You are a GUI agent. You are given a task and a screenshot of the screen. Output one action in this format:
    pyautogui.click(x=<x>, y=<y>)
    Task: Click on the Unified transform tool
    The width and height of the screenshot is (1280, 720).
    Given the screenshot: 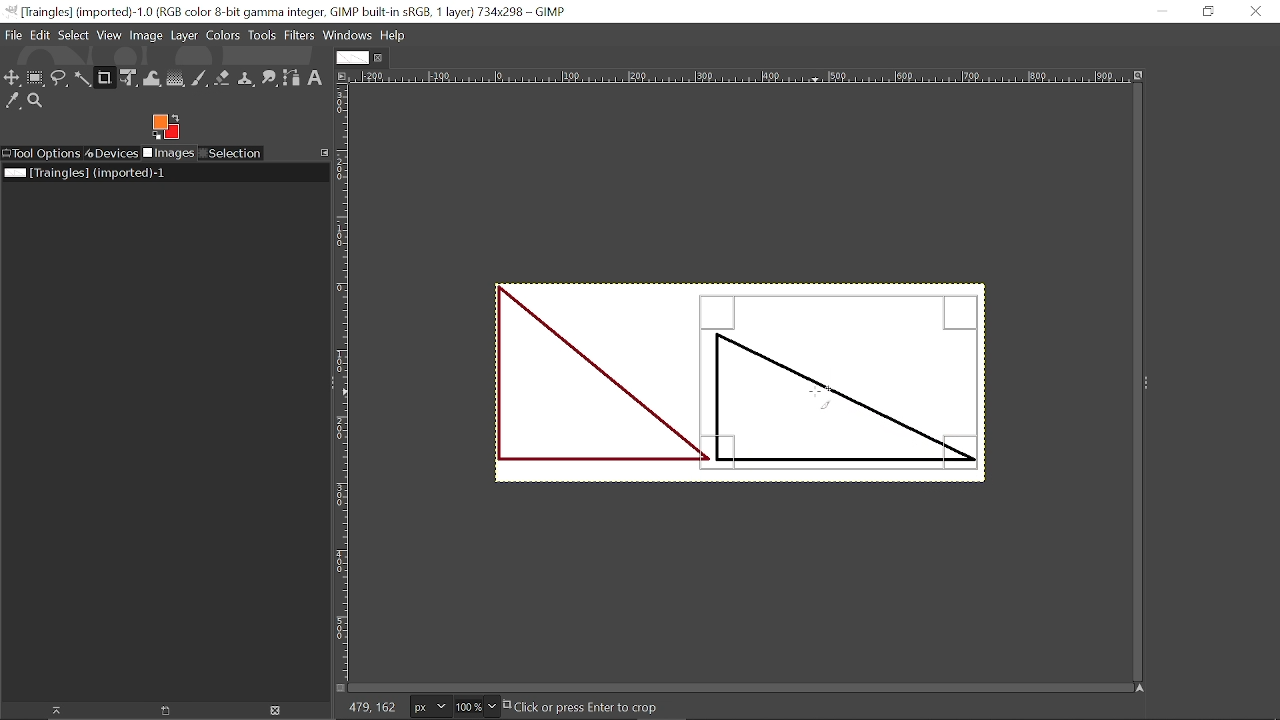 What is the action you would take?
    pyautogui.click(x=130, y=78)
    